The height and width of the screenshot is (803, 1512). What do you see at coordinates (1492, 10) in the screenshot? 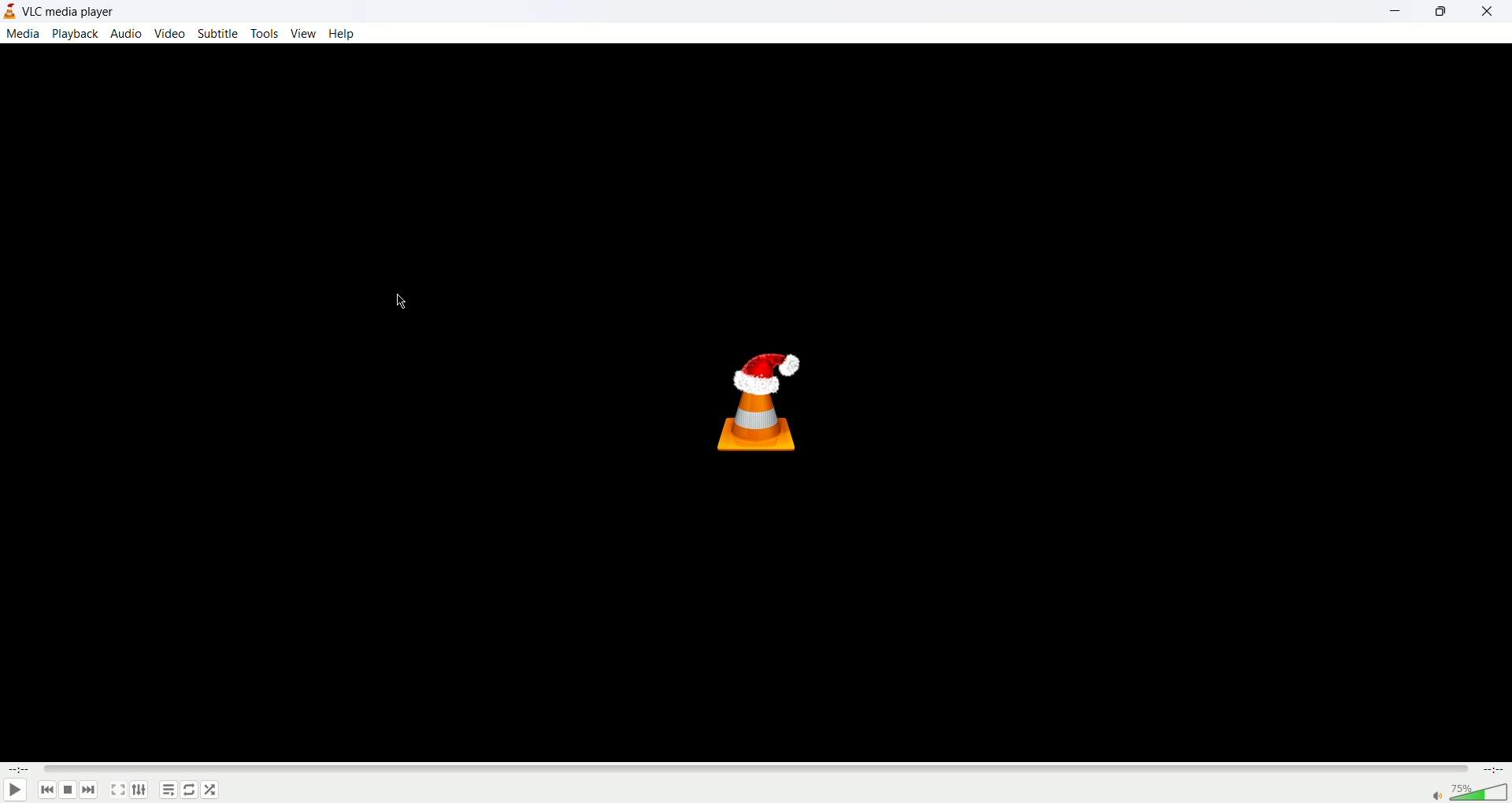
I see `close` at bounding box center [1492, 10].